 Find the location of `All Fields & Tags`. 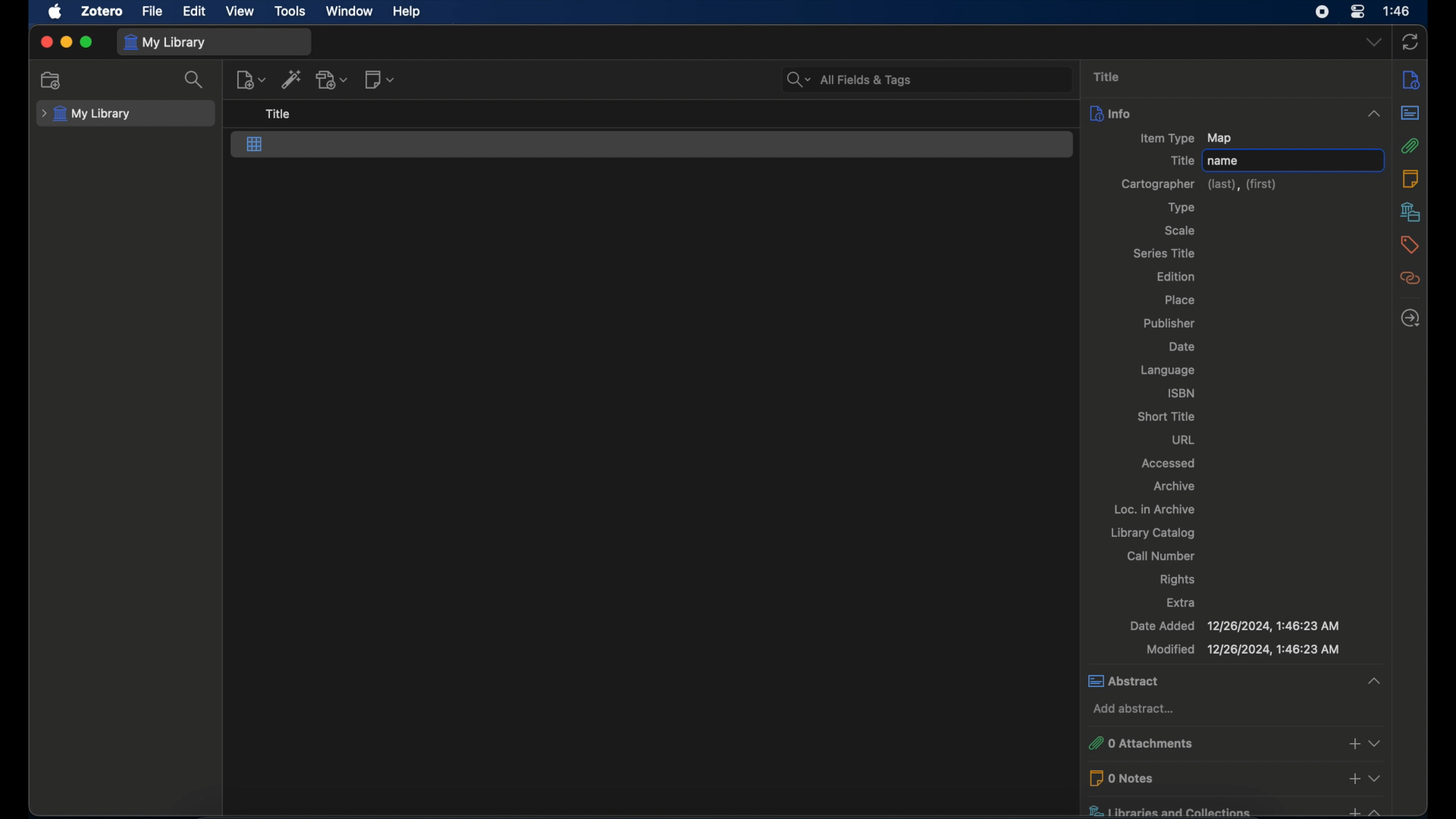

All Fields & Tags is located at coordinates (927, 79).